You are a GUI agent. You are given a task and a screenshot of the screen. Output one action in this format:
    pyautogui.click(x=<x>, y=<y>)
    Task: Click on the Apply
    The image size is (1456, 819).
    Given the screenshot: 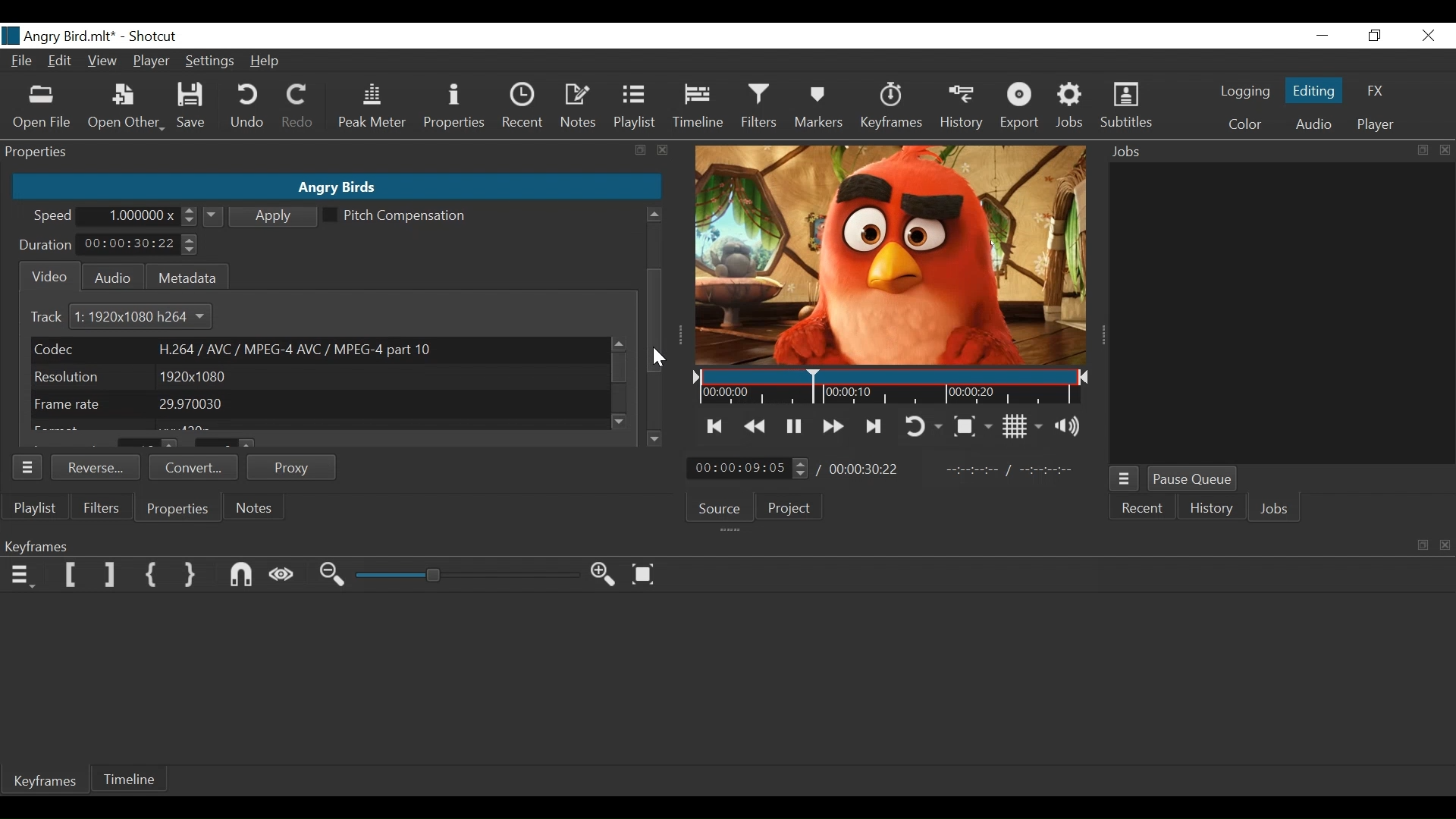 What is the action you would take?
    pyautogui.click(x=262, y=215)
    